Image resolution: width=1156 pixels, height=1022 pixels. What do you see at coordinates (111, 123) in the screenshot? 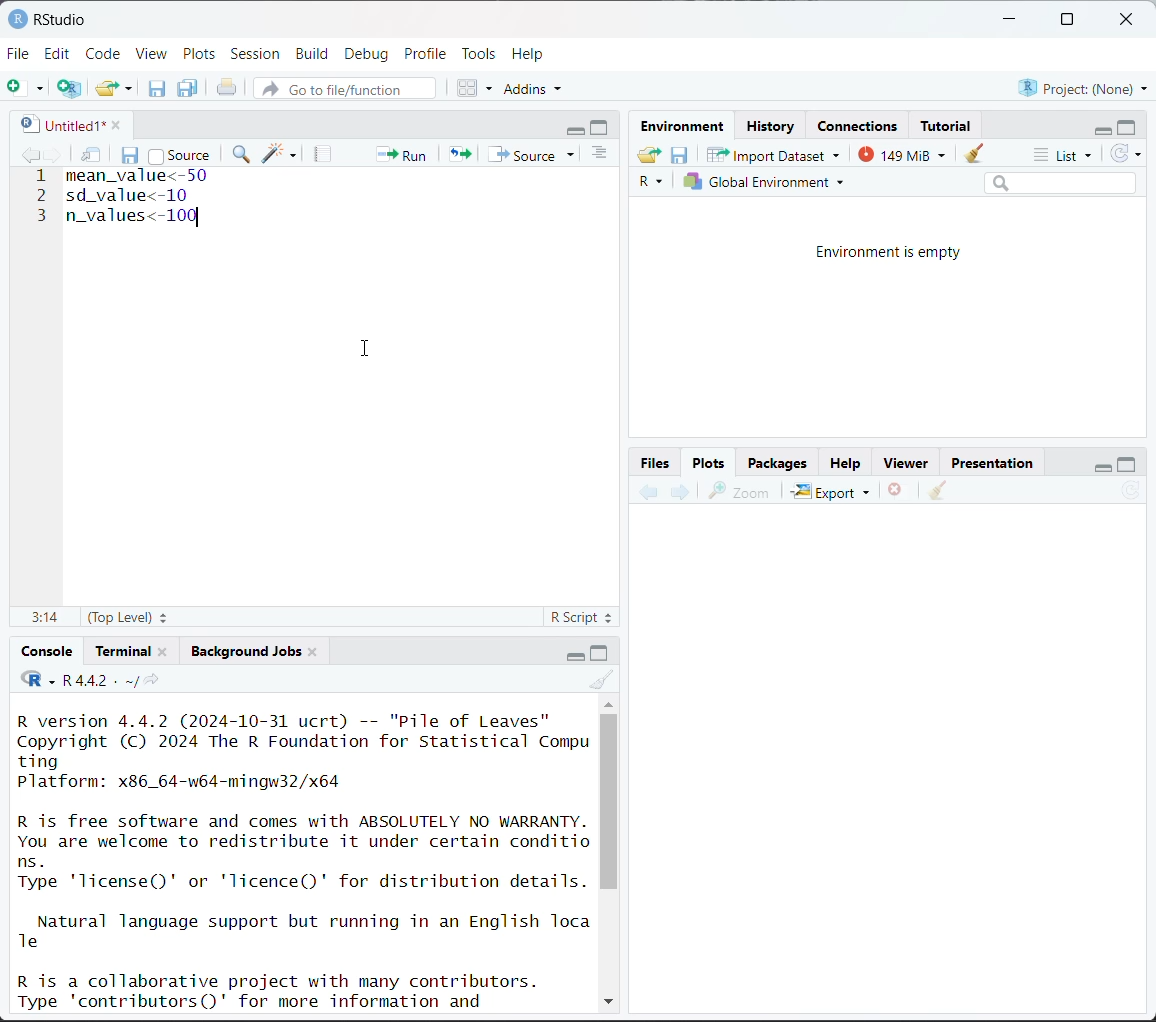
I see `close` at bounding box center [111, 123].